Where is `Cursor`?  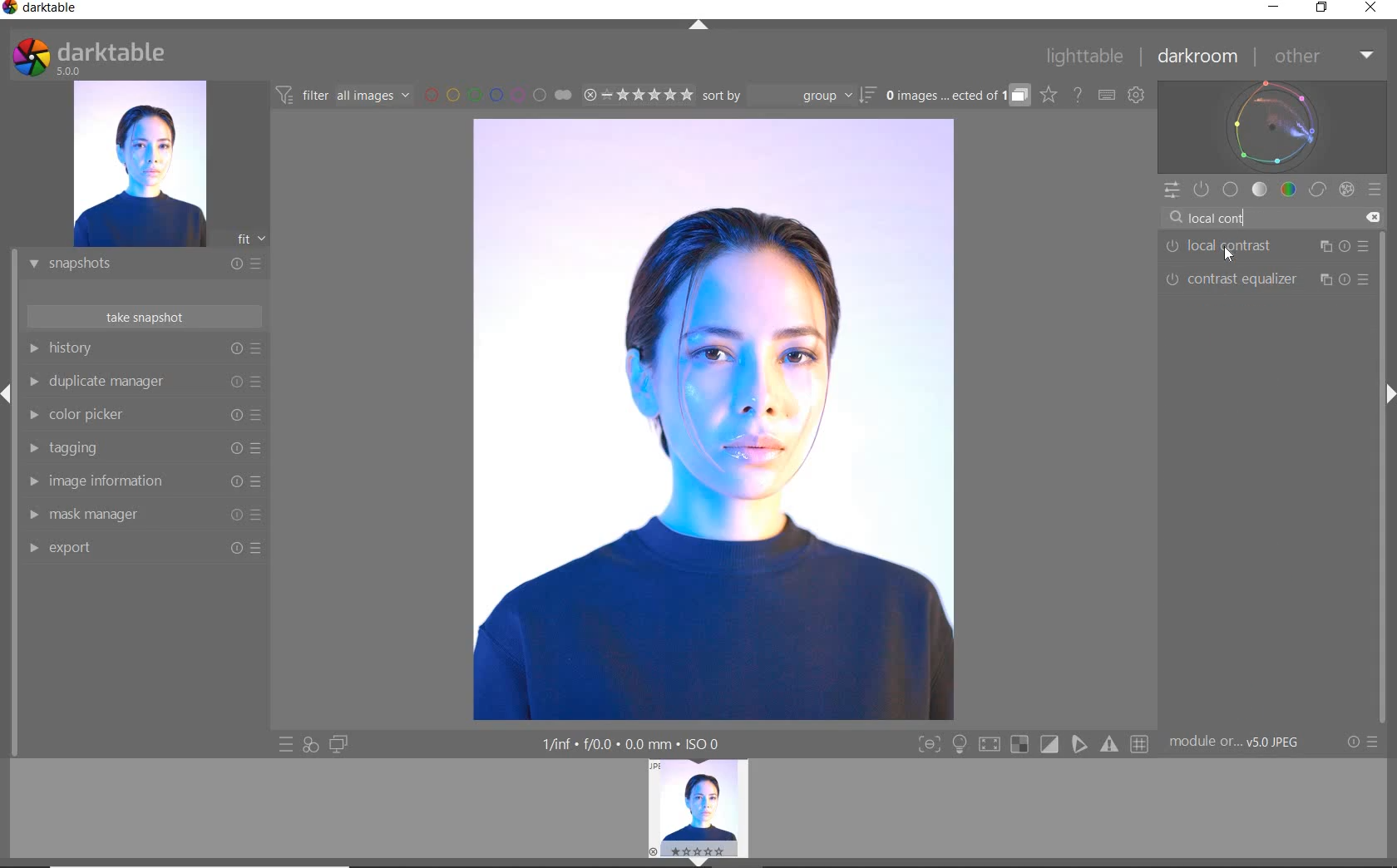
Cursor is located at coordinates (1229, 254).